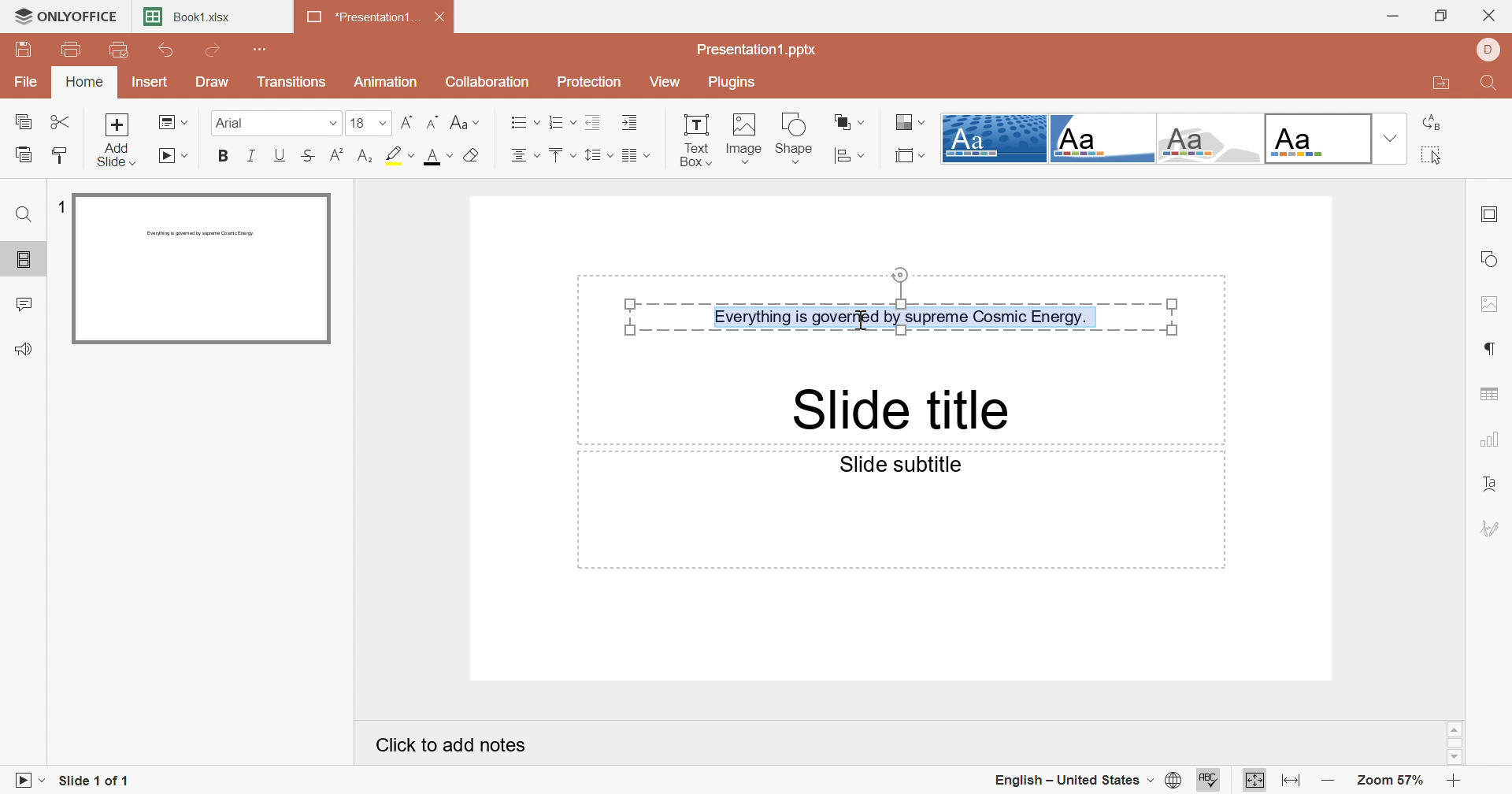 This screenshot has height=794, width=1512. Describe the element at coordinates (1492, 484) in the screenshot. I see `Text art settings` at that location.